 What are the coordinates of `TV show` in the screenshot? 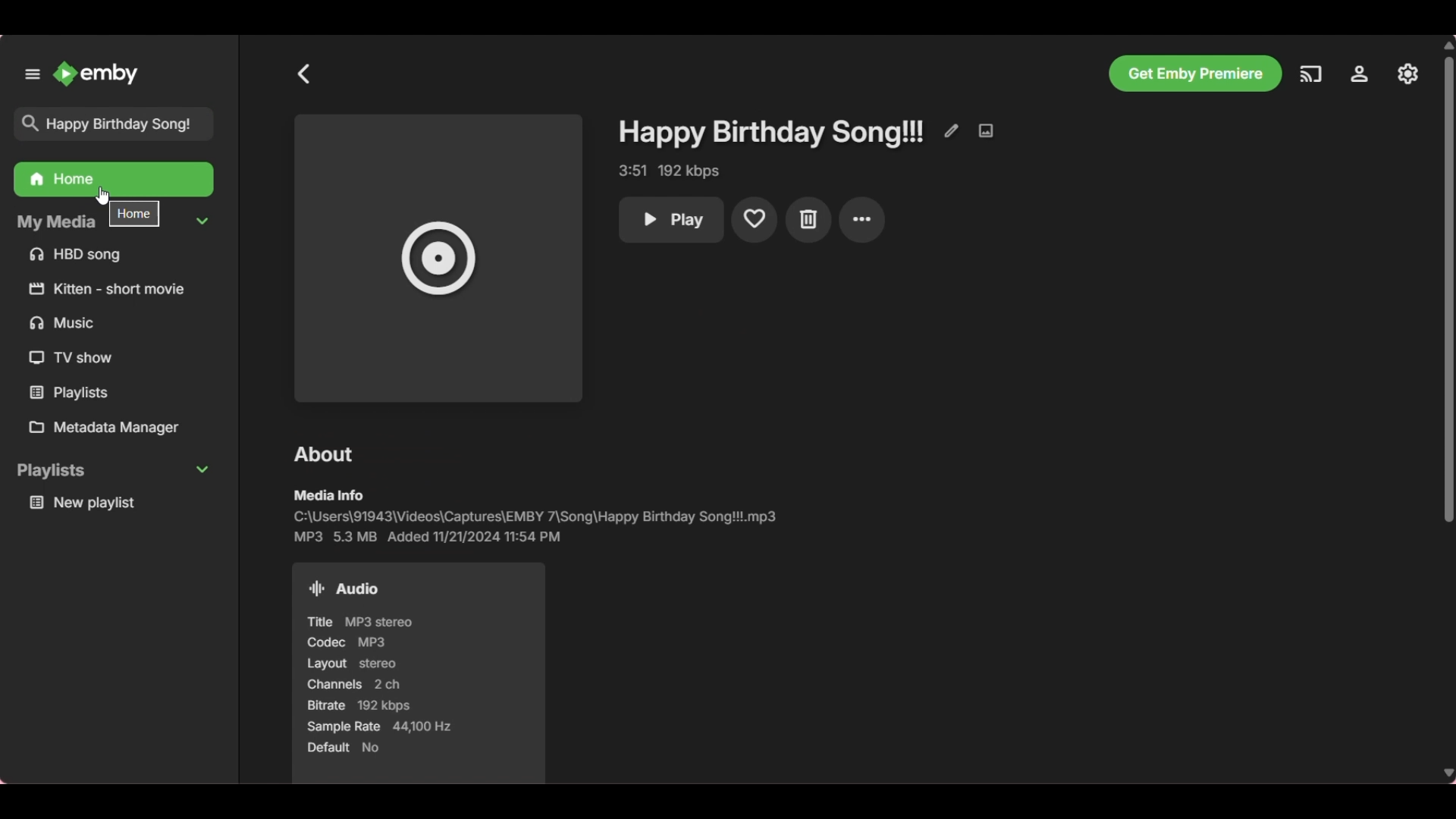 It's located at (72, 359).